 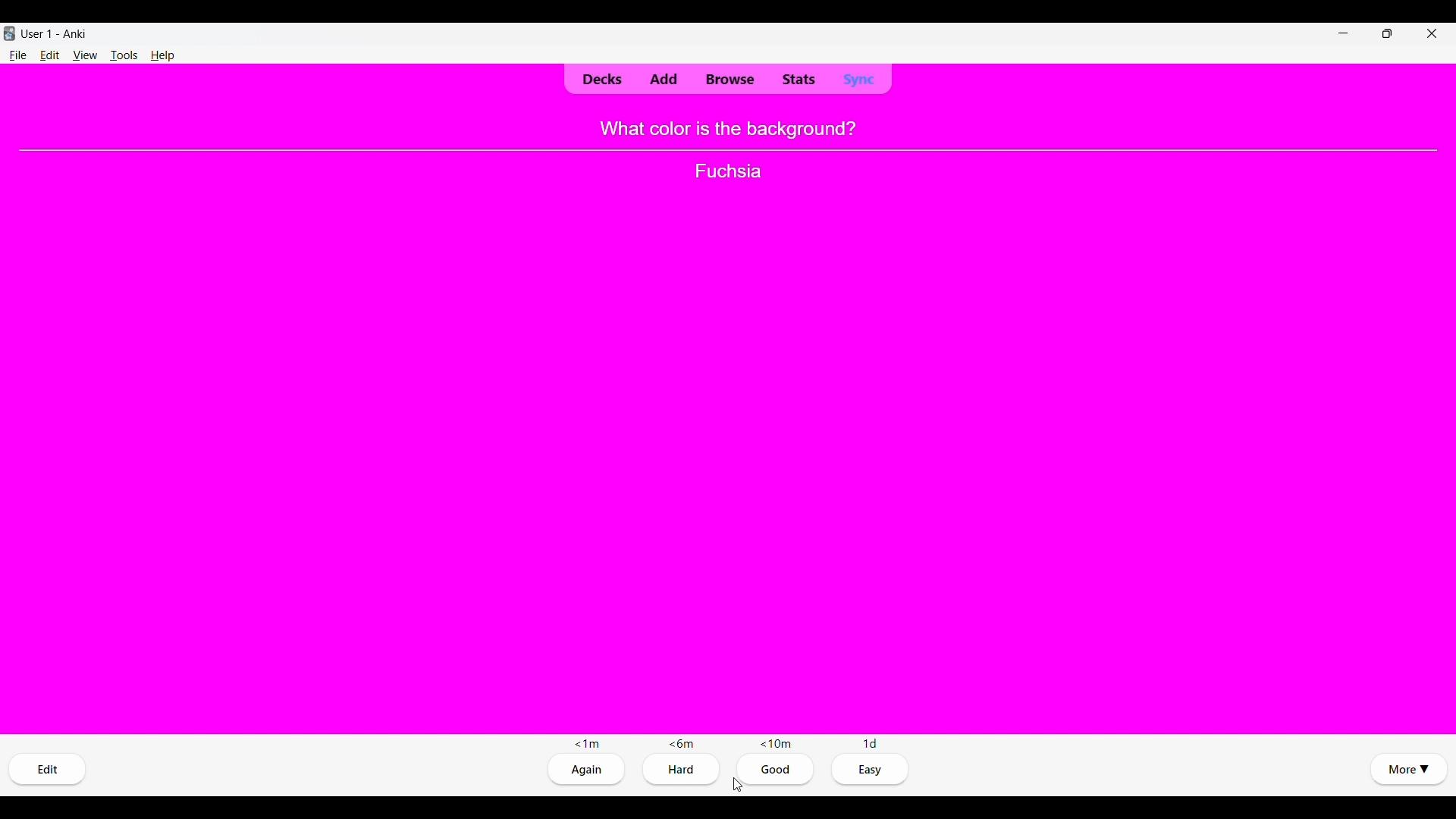 What do you see at coordinates (1407, 769) in the screenshot?
I see `More options` at bounding box center [1407, 769].